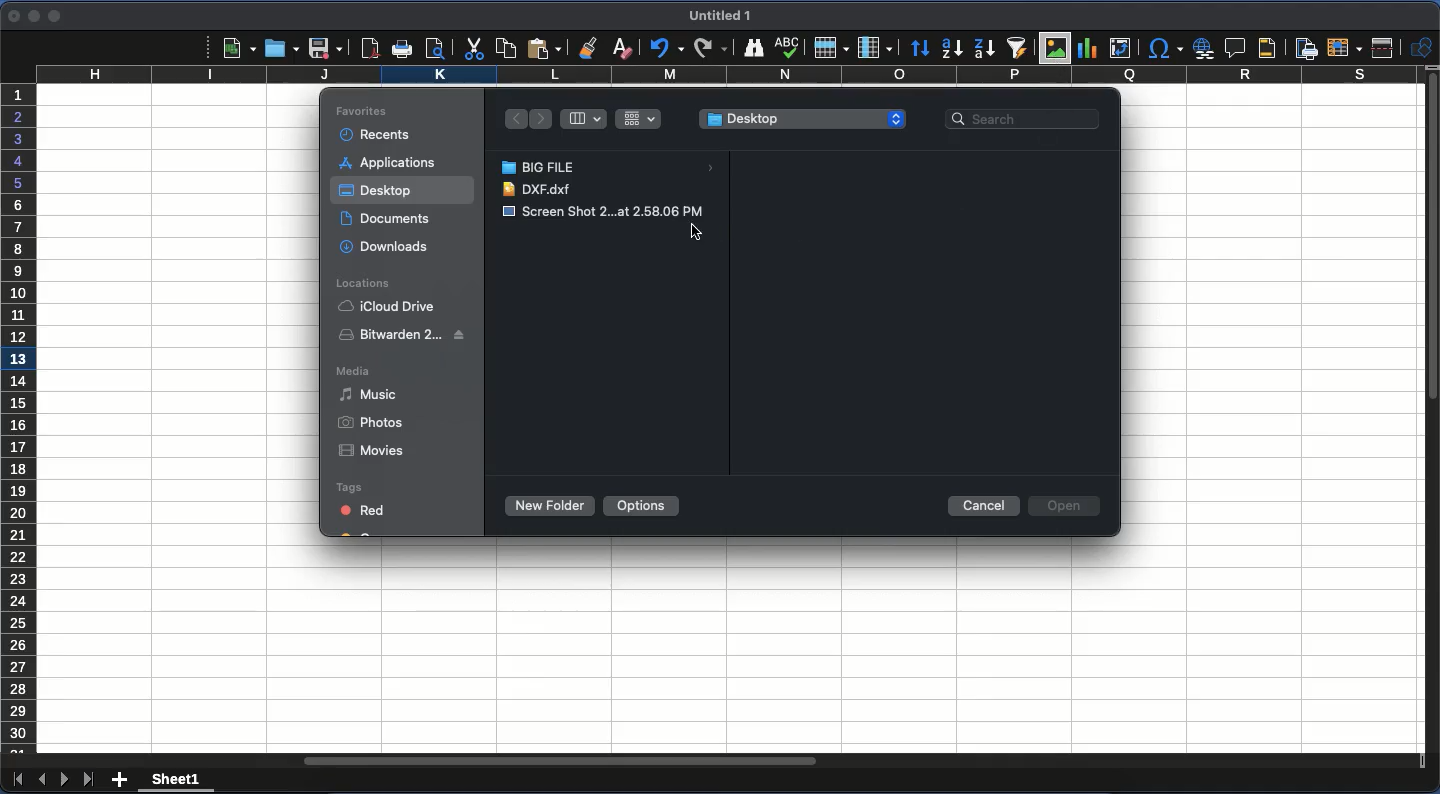 The width and height of the screenshot is (1440, 794). I want to click on forward, so click(541, 120).